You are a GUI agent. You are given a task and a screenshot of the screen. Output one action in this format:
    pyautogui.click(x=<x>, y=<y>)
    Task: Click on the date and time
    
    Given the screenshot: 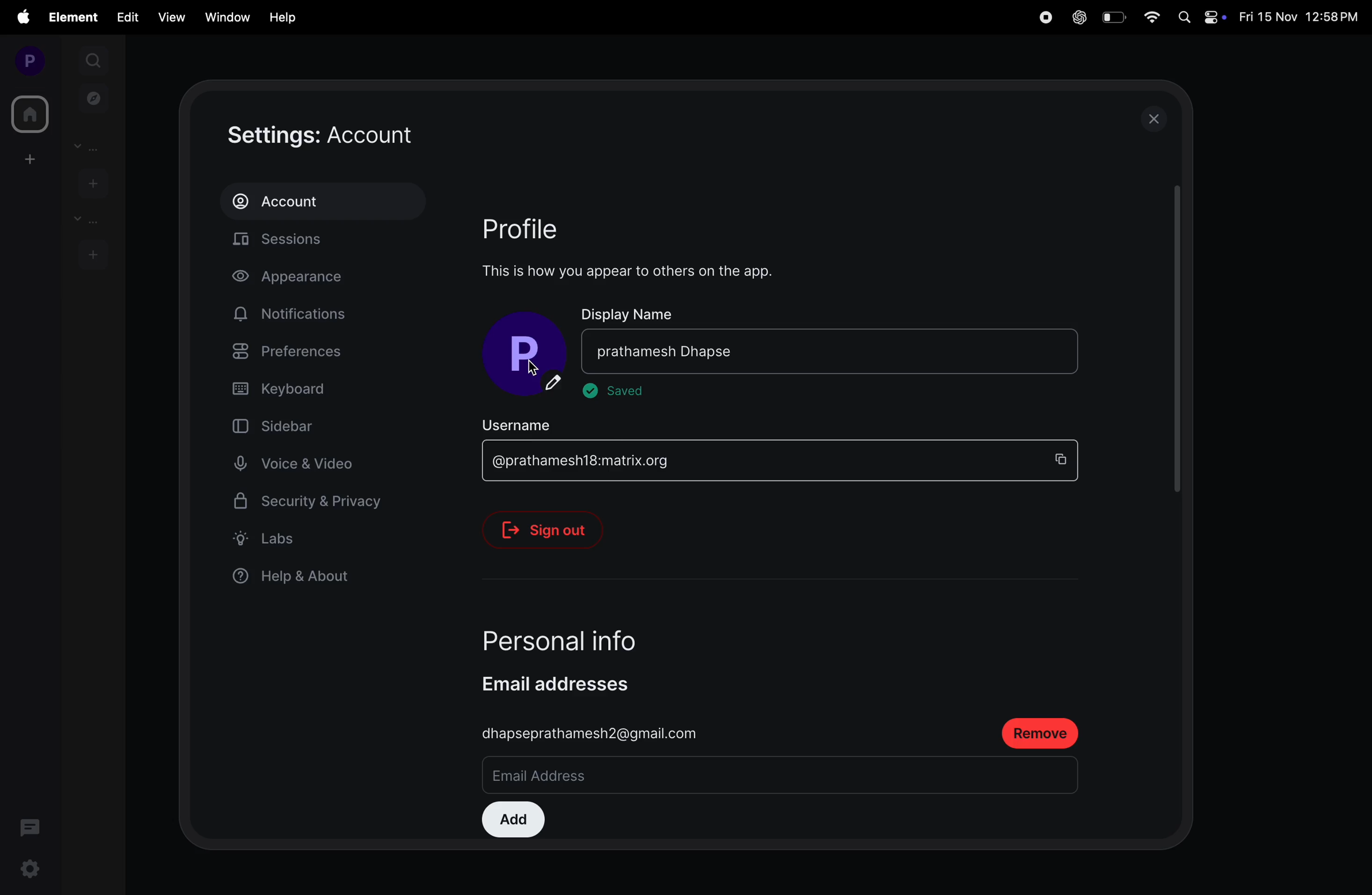 What is the action you would take?
    pyautogui.click(x=1301, y=18)
    